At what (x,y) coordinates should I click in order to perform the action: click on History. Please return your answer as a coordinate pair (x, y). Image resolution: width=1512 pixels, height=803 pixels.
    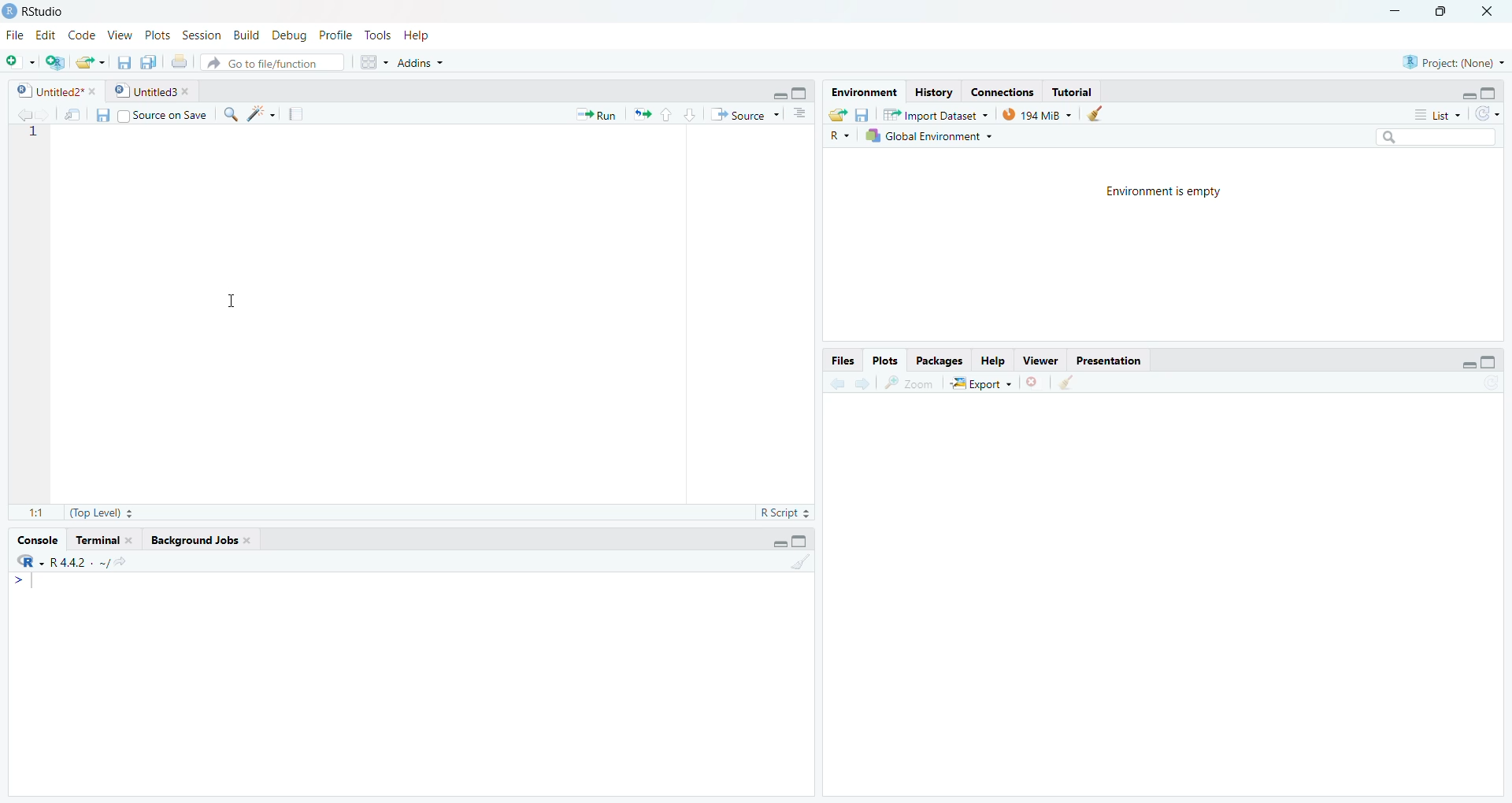
    Looking at the image, I should click on (935, 91).